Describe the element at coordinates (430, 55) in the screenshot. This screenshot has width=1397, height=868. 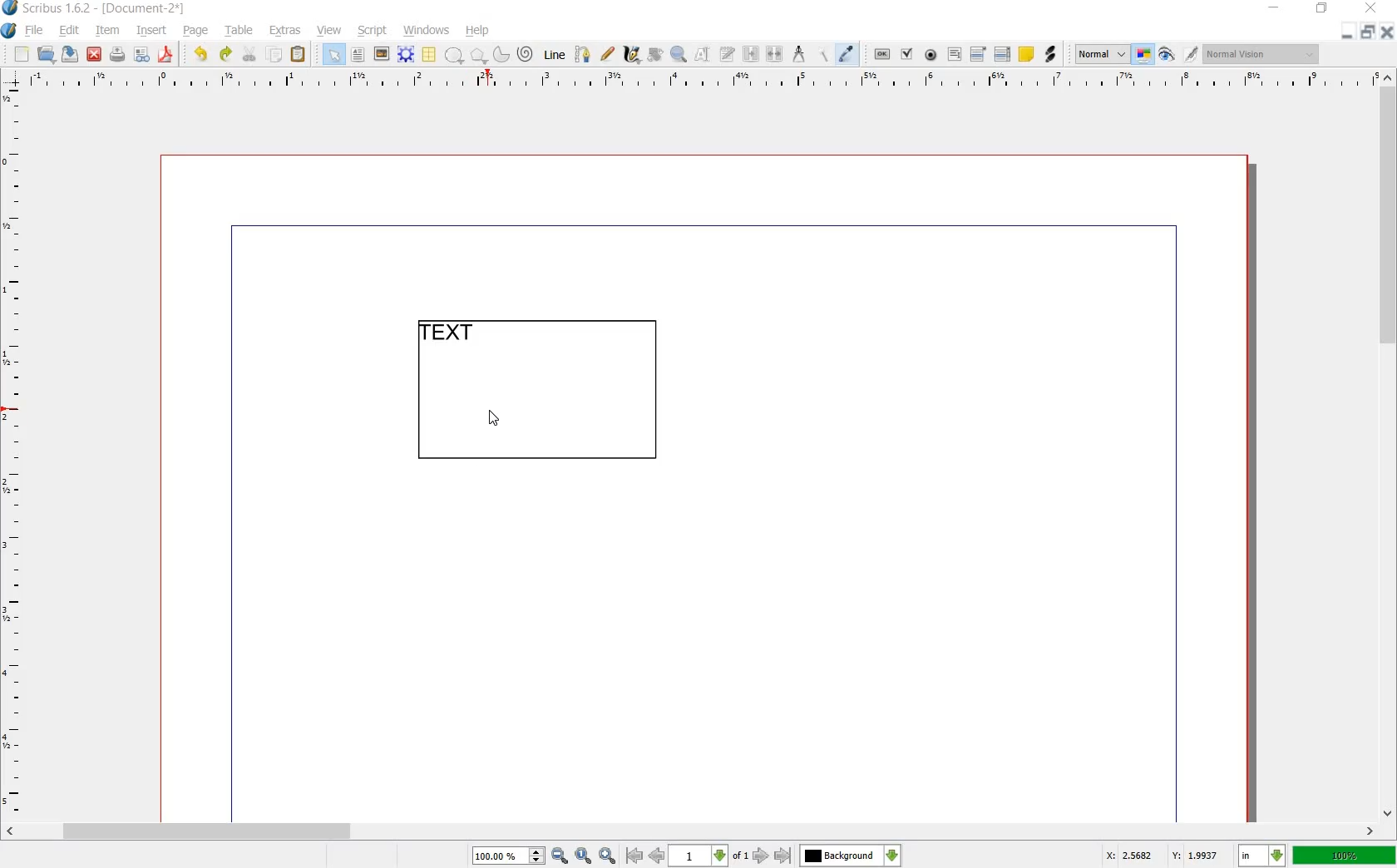
I see `table` at that location.